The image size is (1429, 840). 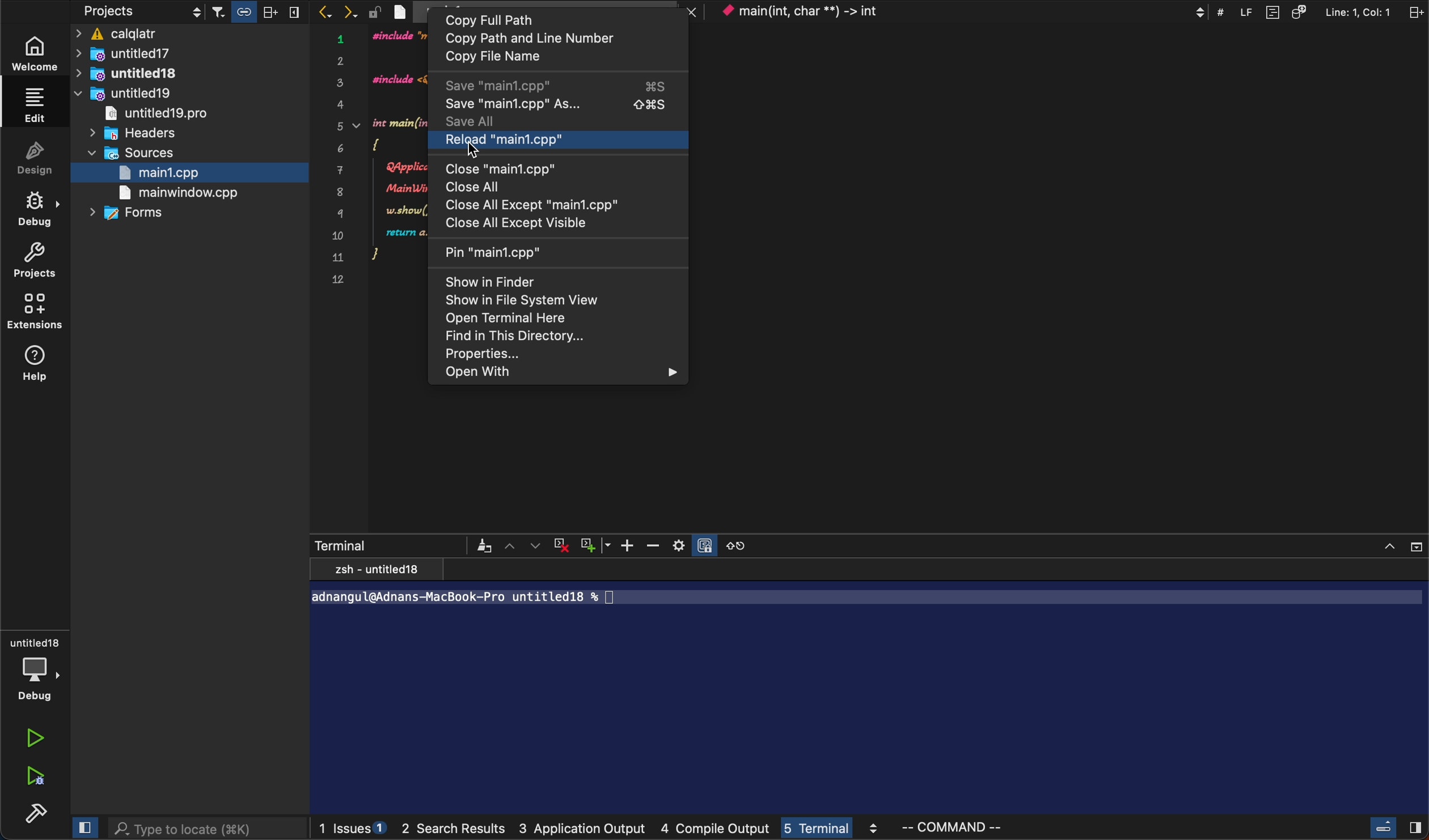 What do you see at coordinates (139, 12) in the screenshot?
I see `projects` at bounding box center [139, 12].